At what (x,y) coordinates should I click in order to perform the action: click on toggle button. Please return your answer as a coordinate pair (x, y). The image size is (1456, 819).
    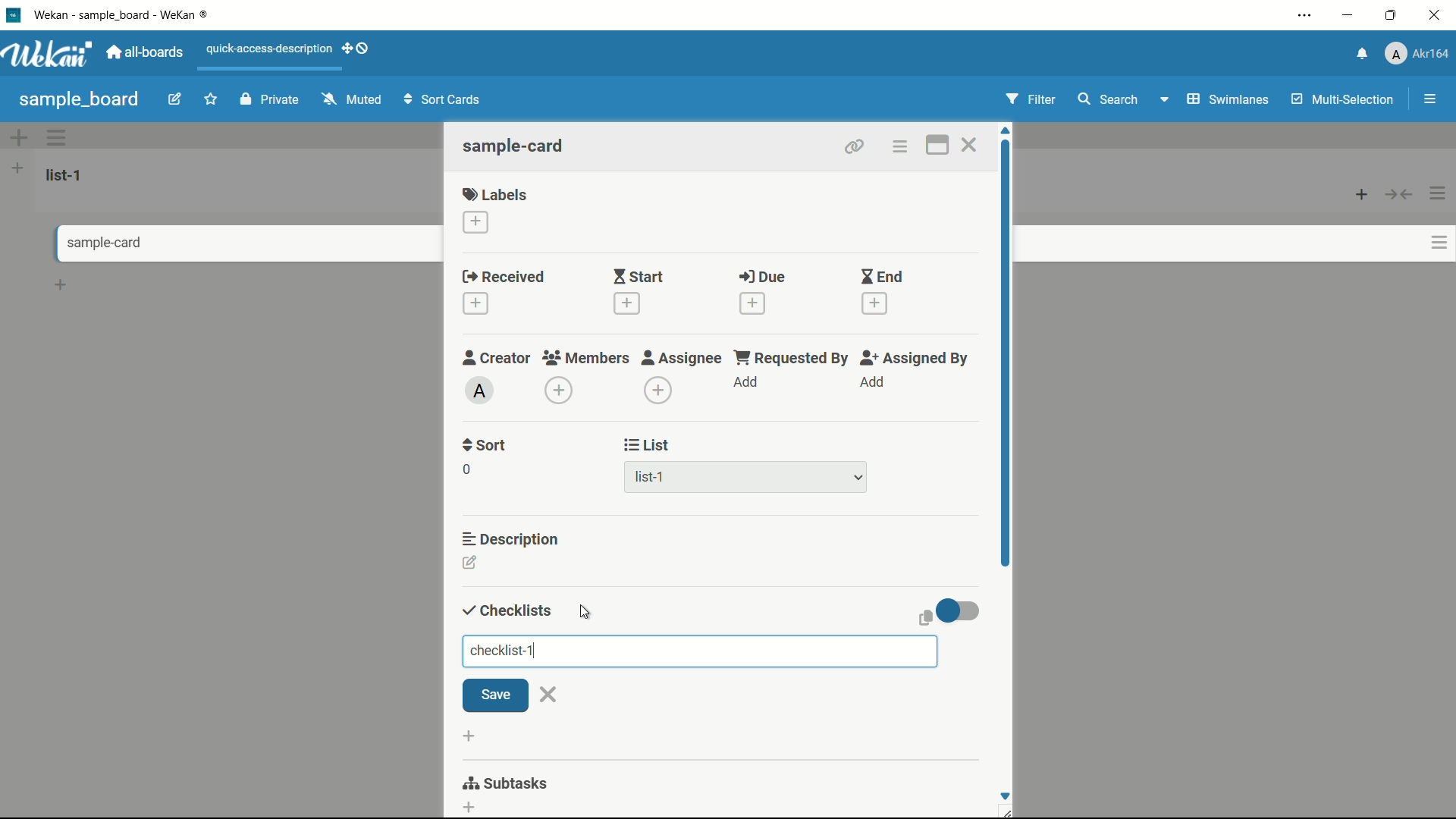
    Looking at the image, I should click on (959, 610).